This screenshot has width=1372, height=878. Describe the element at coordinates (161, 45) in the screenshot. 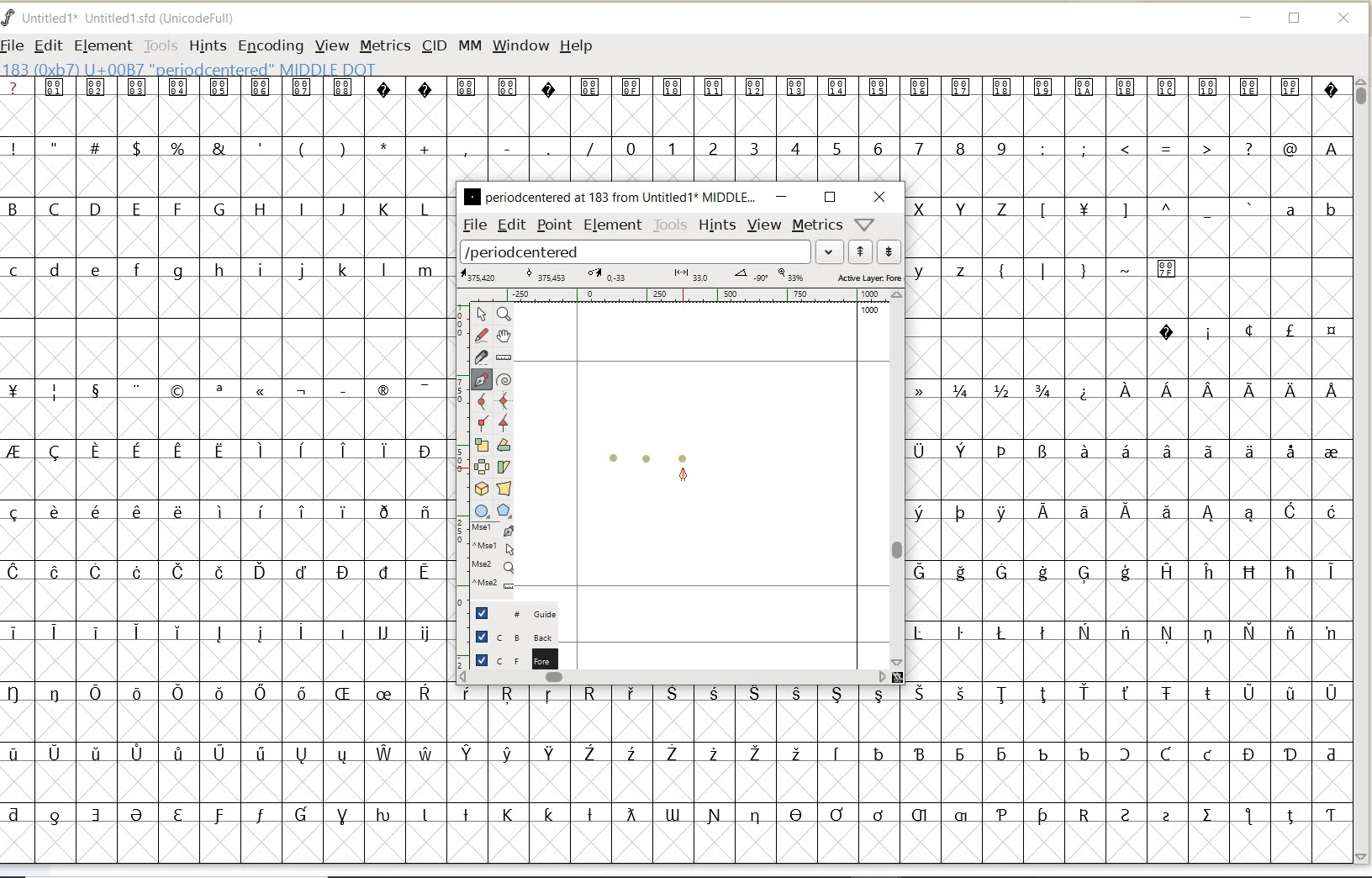

I see `TOOLS` at that location.